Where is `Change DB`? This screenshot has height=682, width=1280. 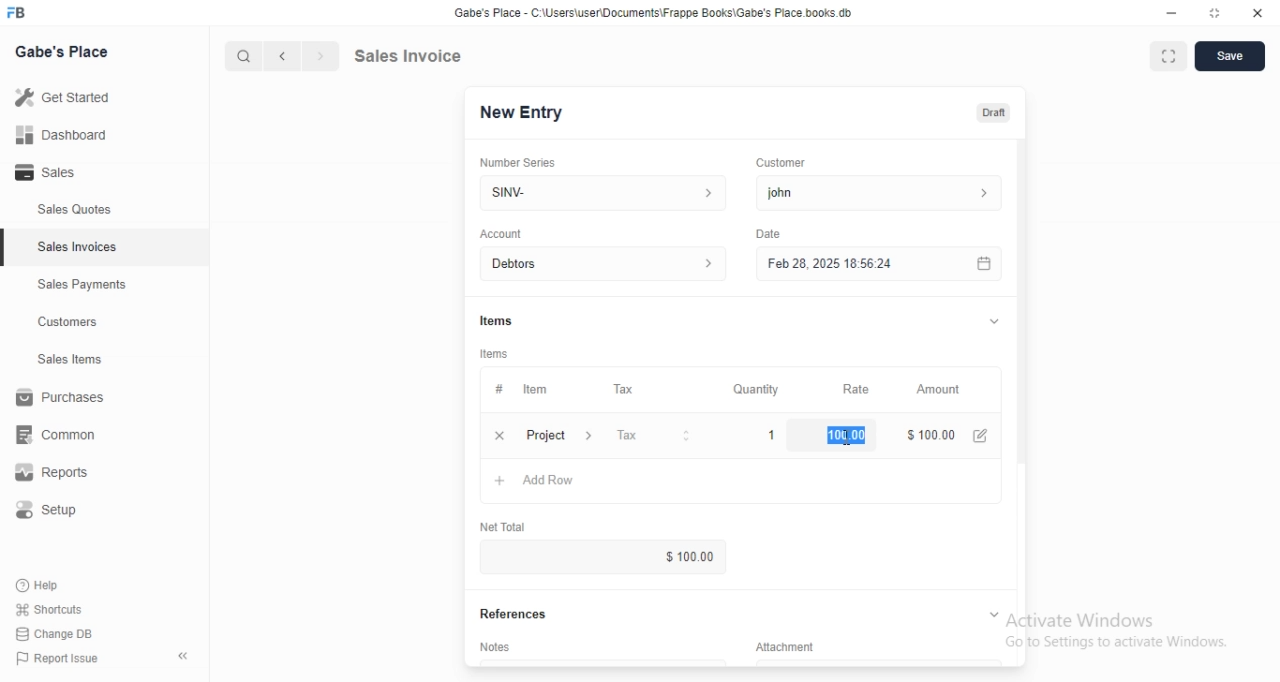 Change DB is located at coordinates (58, 635).